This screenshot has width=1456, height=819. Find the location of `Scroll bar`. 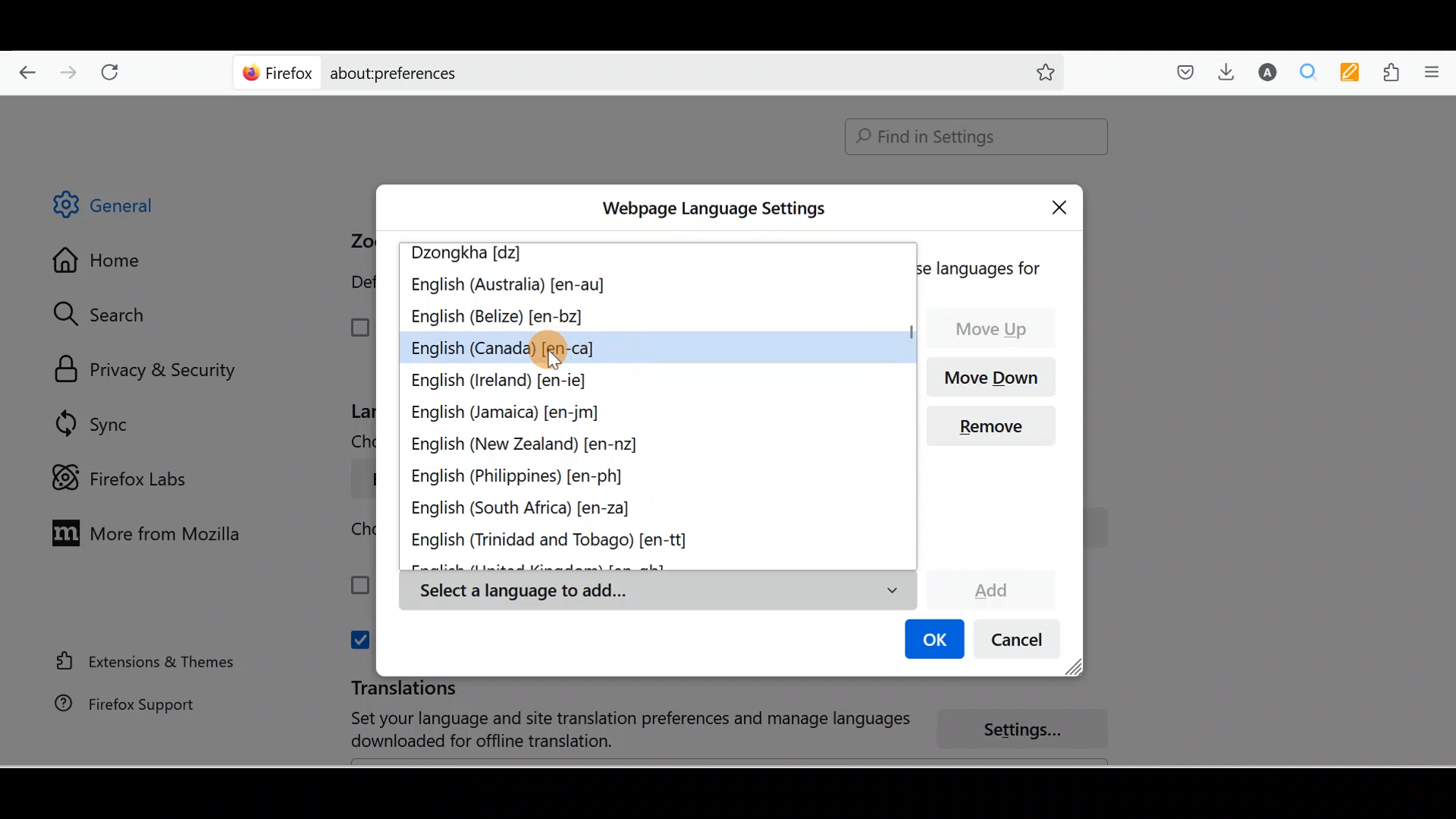

Scroll bar is located at coordinates (908, 405).